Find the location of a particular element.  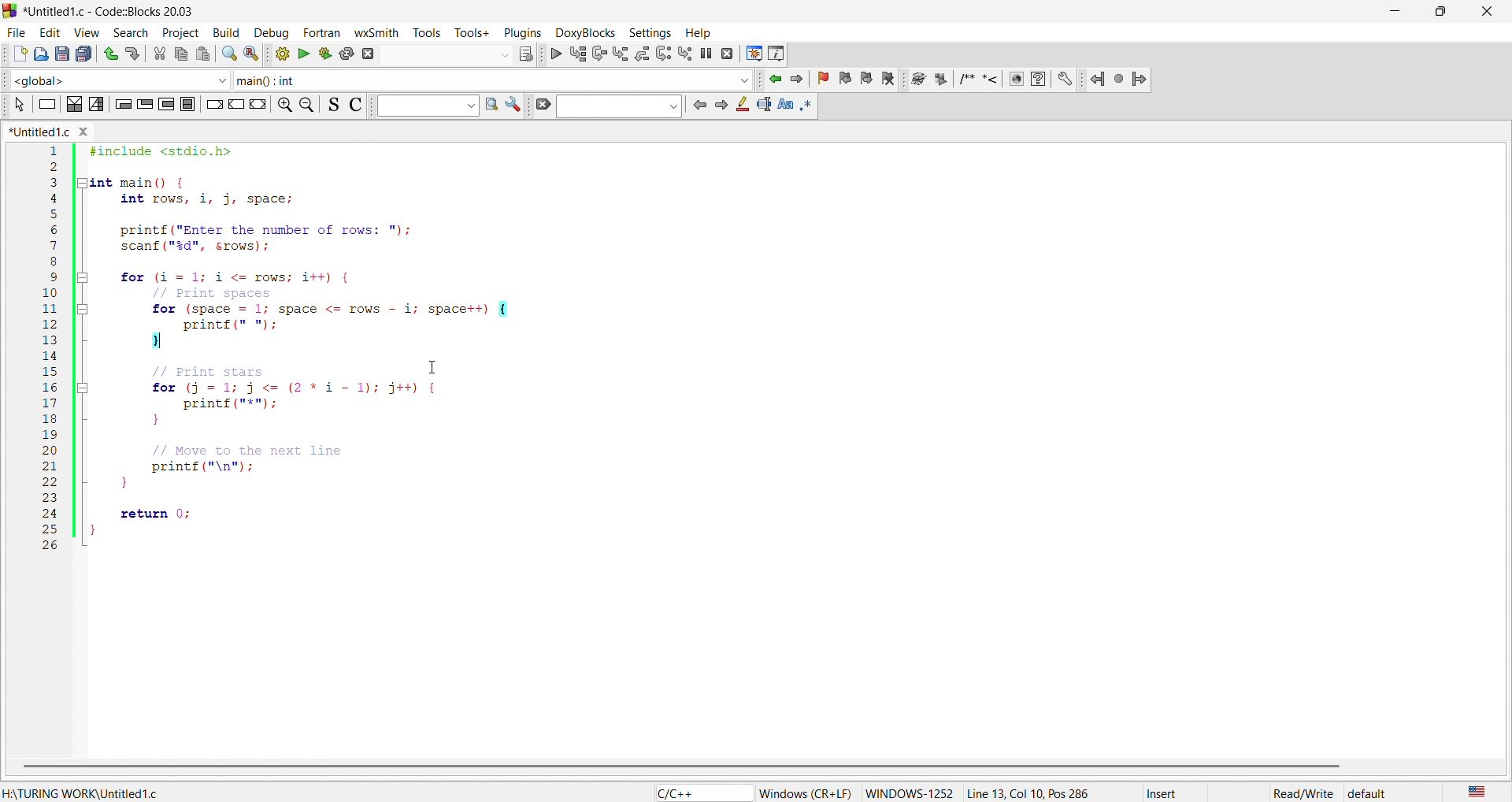

build and run is located at coordinates (324, 54).